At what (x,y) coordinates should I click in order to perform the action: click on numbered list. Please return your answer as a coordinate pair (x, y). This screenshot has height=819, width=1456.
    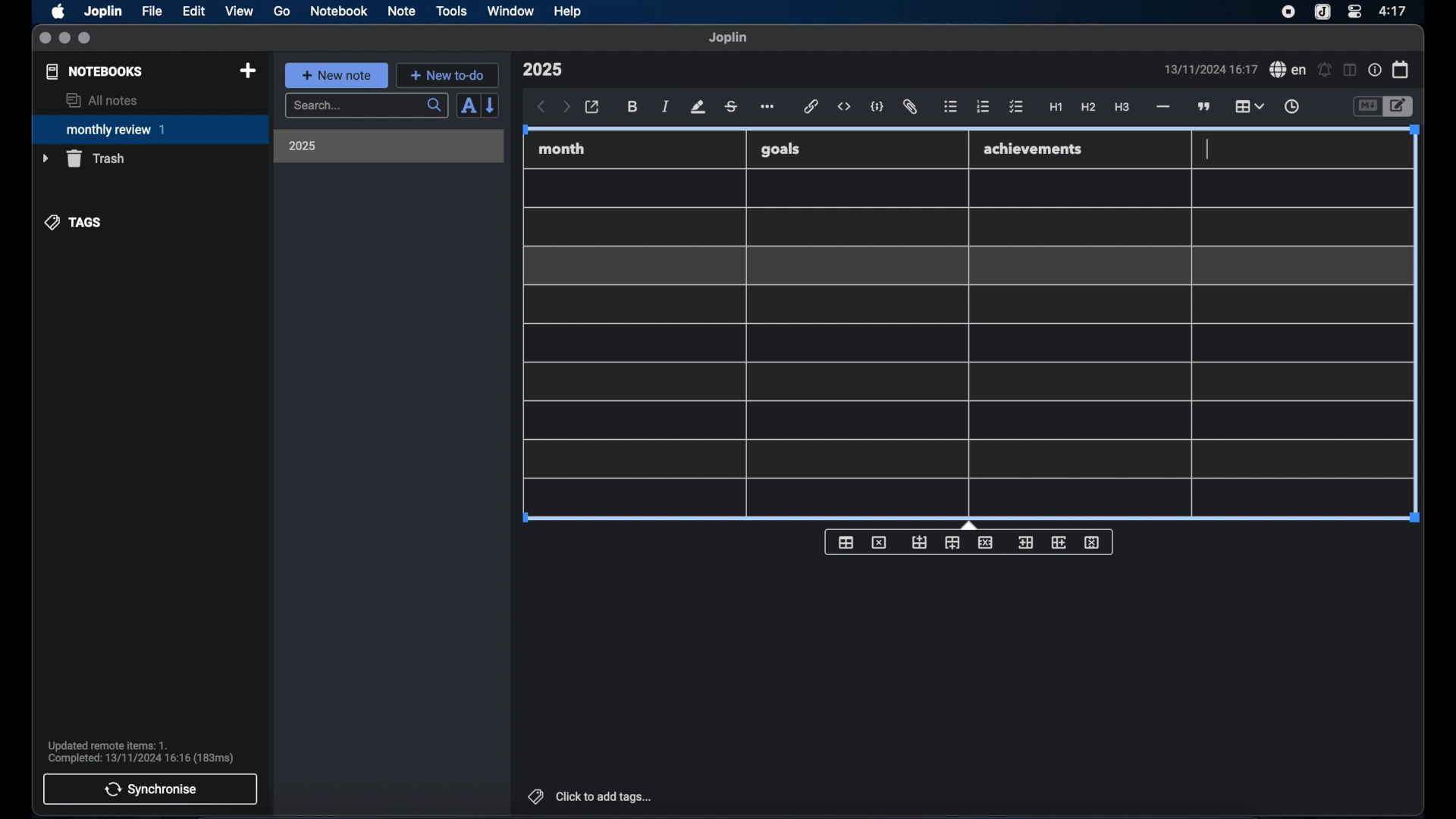
    Looking at the image, I should click on (983, 106).